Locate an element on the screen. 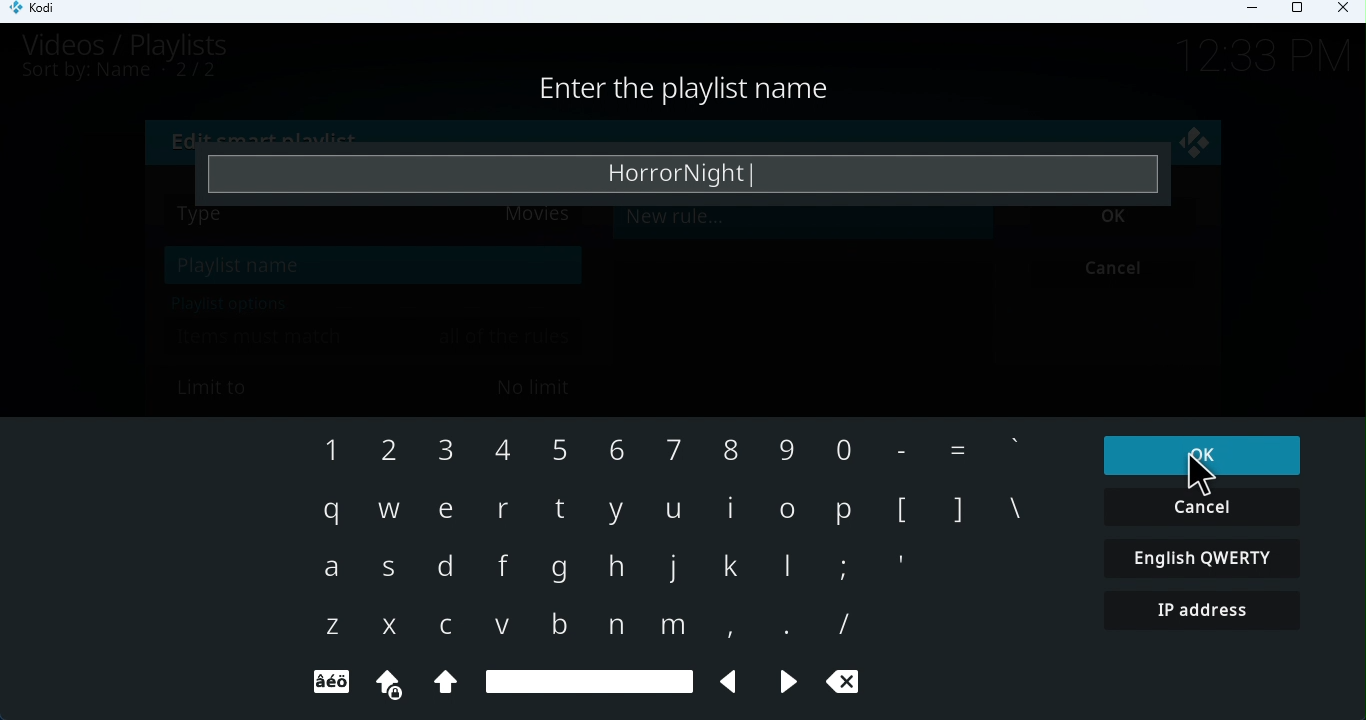 Image resolution: width=1366 pixels, height=720 pixels. Enter playlist name is located at coordinates (706, 92).